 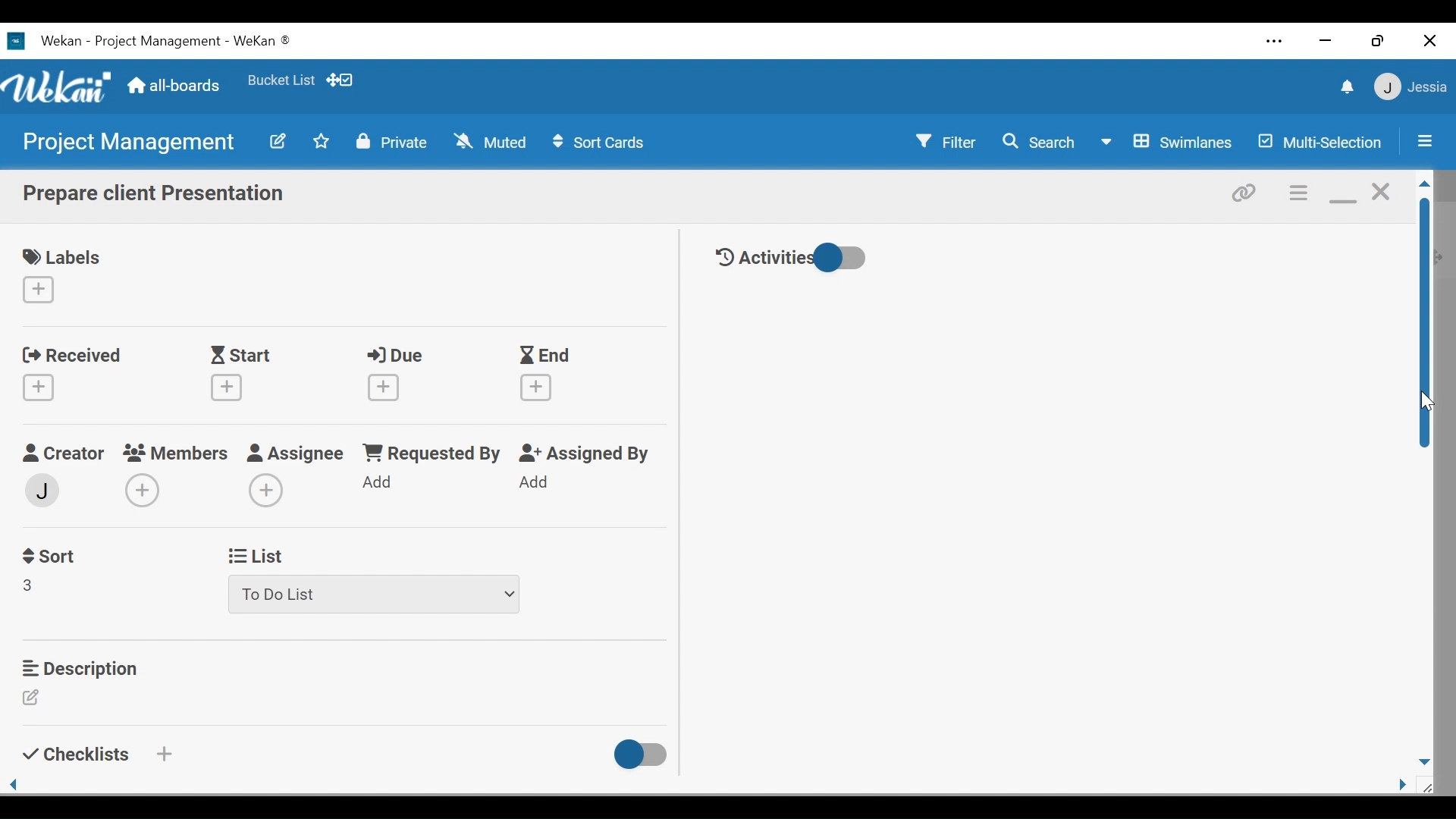 I want to click on Muted, so click(x=489, y=141).